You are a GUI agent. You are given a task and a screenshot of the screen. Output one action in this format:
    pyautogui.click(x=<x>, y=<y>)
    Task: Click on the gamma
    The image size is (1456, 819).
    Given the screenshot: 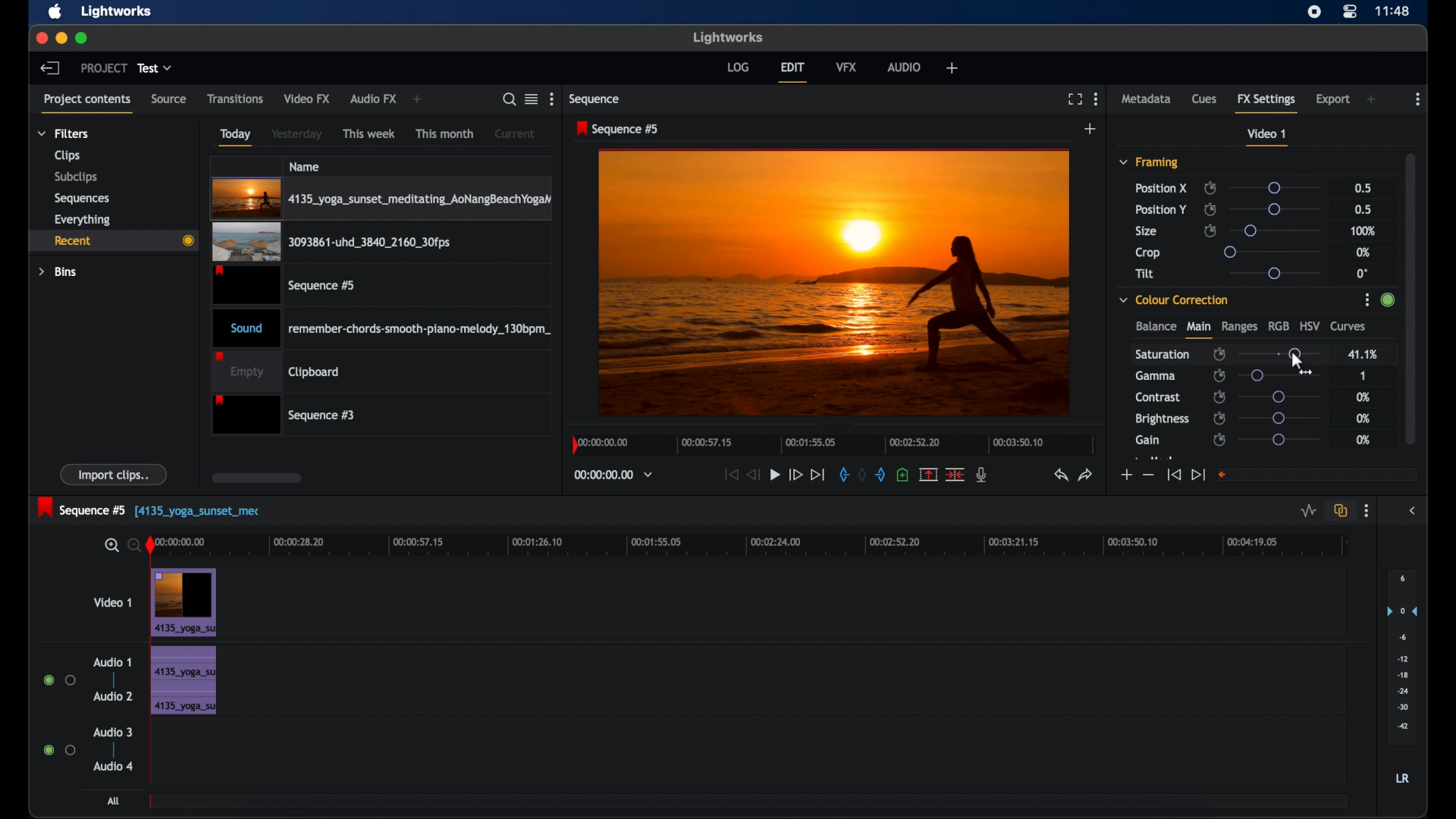 What is the action you would take?
    pyautogui.click(x=1155, y=375)
    